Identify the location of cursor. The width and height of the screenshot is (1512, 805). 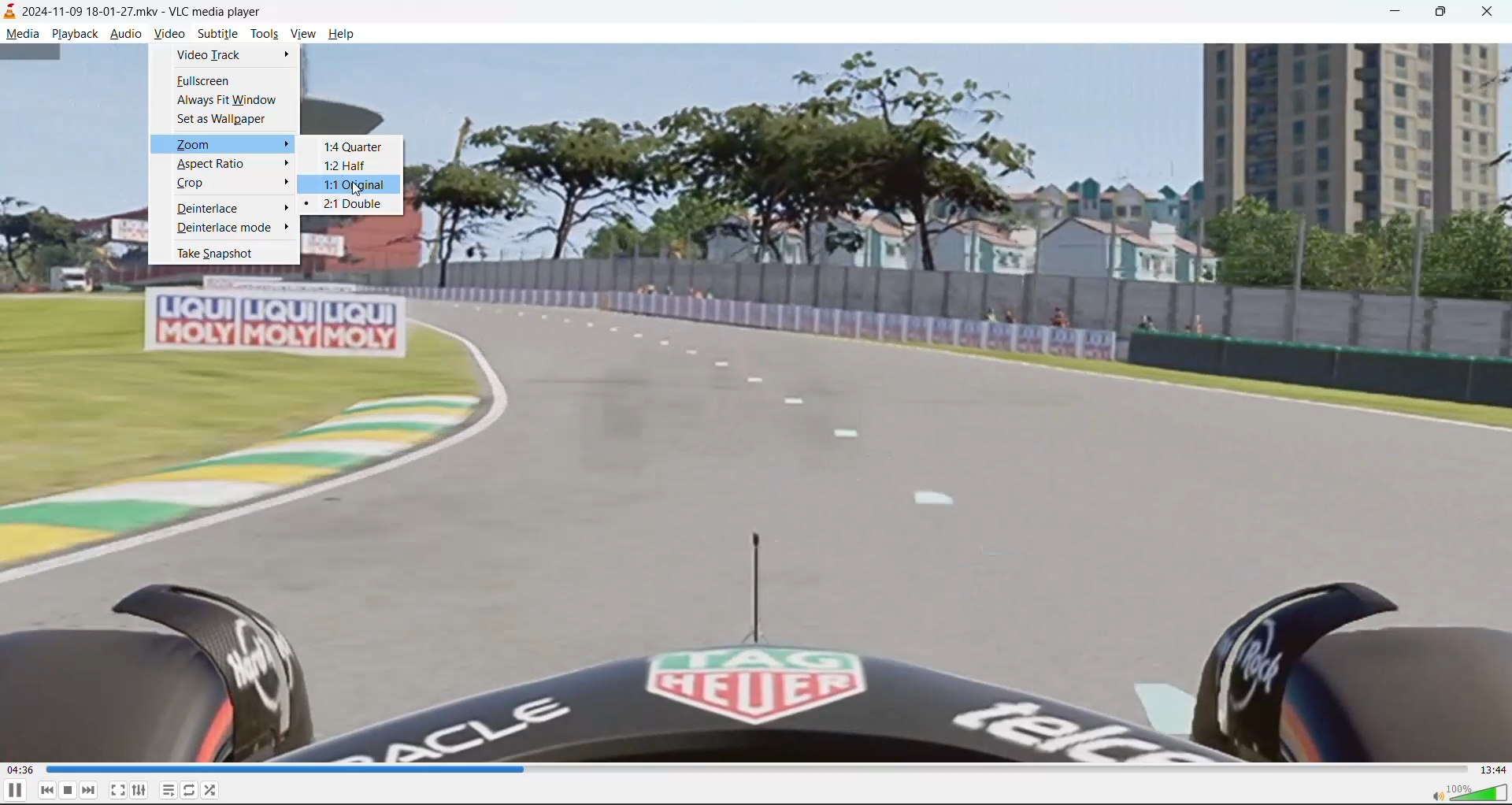
(362, 191).